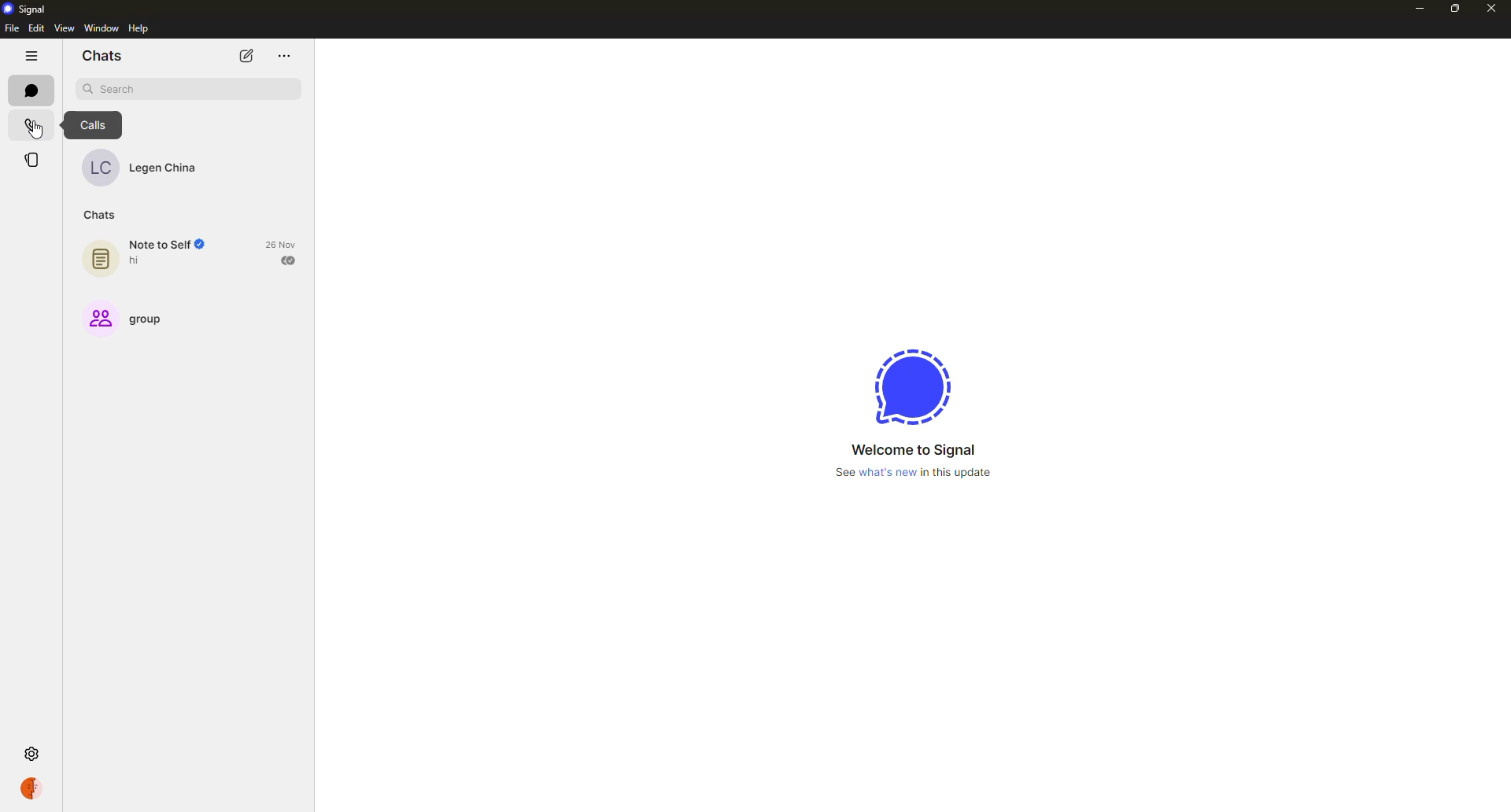 The width and height of the screenshot is (1511, 812). I want to click on welcome to signal, so click(914, 450).